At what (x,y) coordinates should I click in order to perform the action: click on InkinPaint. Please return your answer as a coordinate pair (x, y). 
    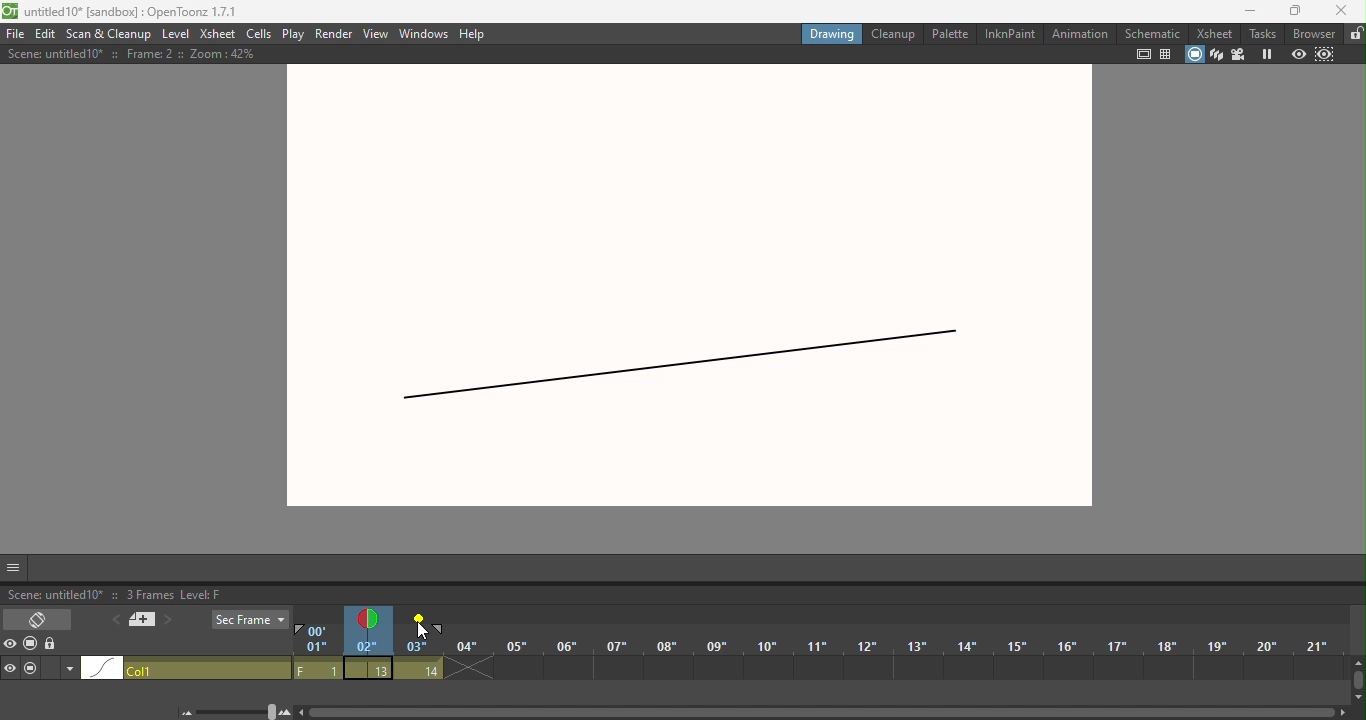
    Looking at the image, I should click on (1006, 32).